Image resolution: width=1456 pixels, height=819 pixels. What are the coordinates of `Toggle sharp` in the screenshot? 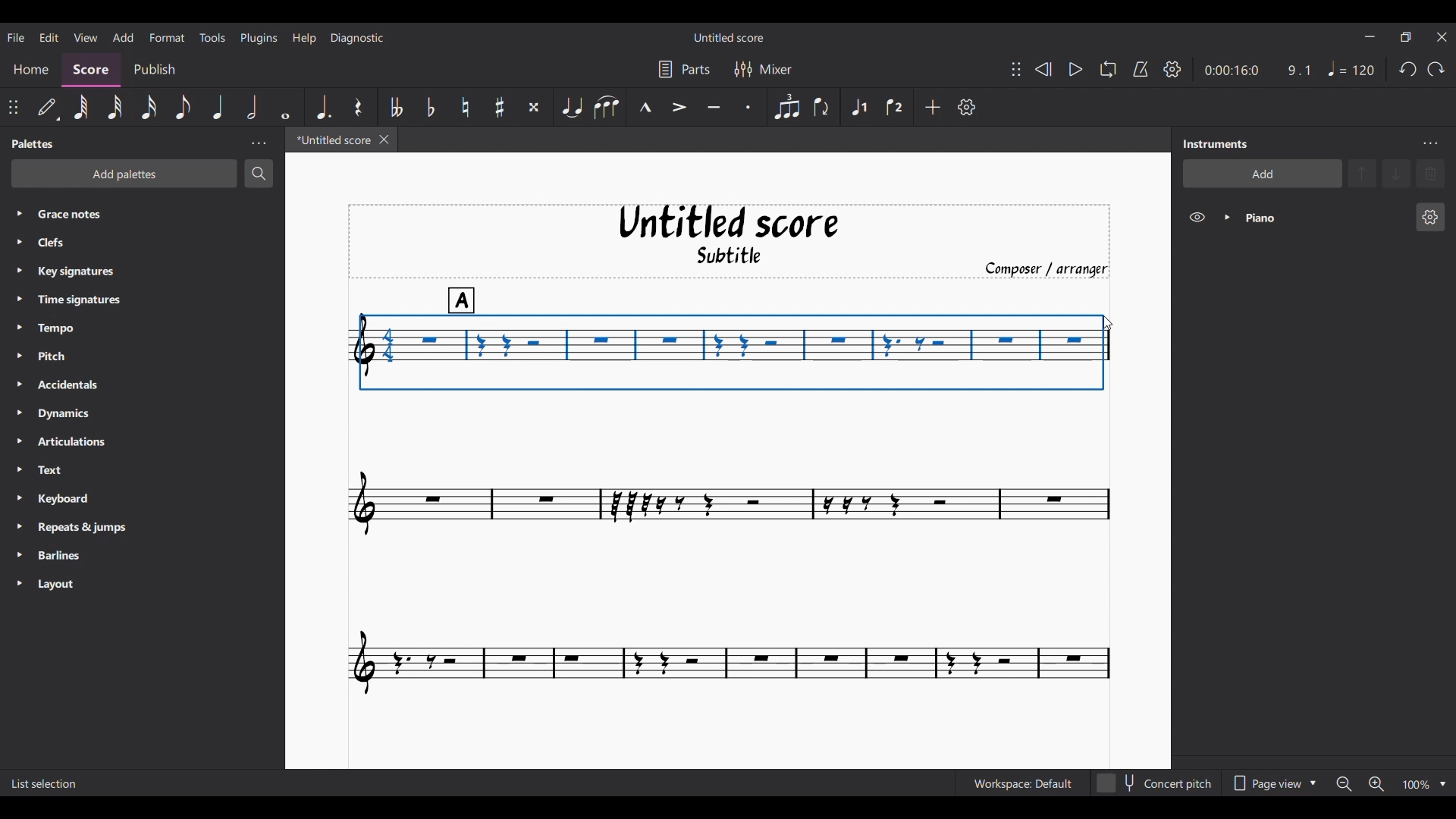 It's located at (500, 106).